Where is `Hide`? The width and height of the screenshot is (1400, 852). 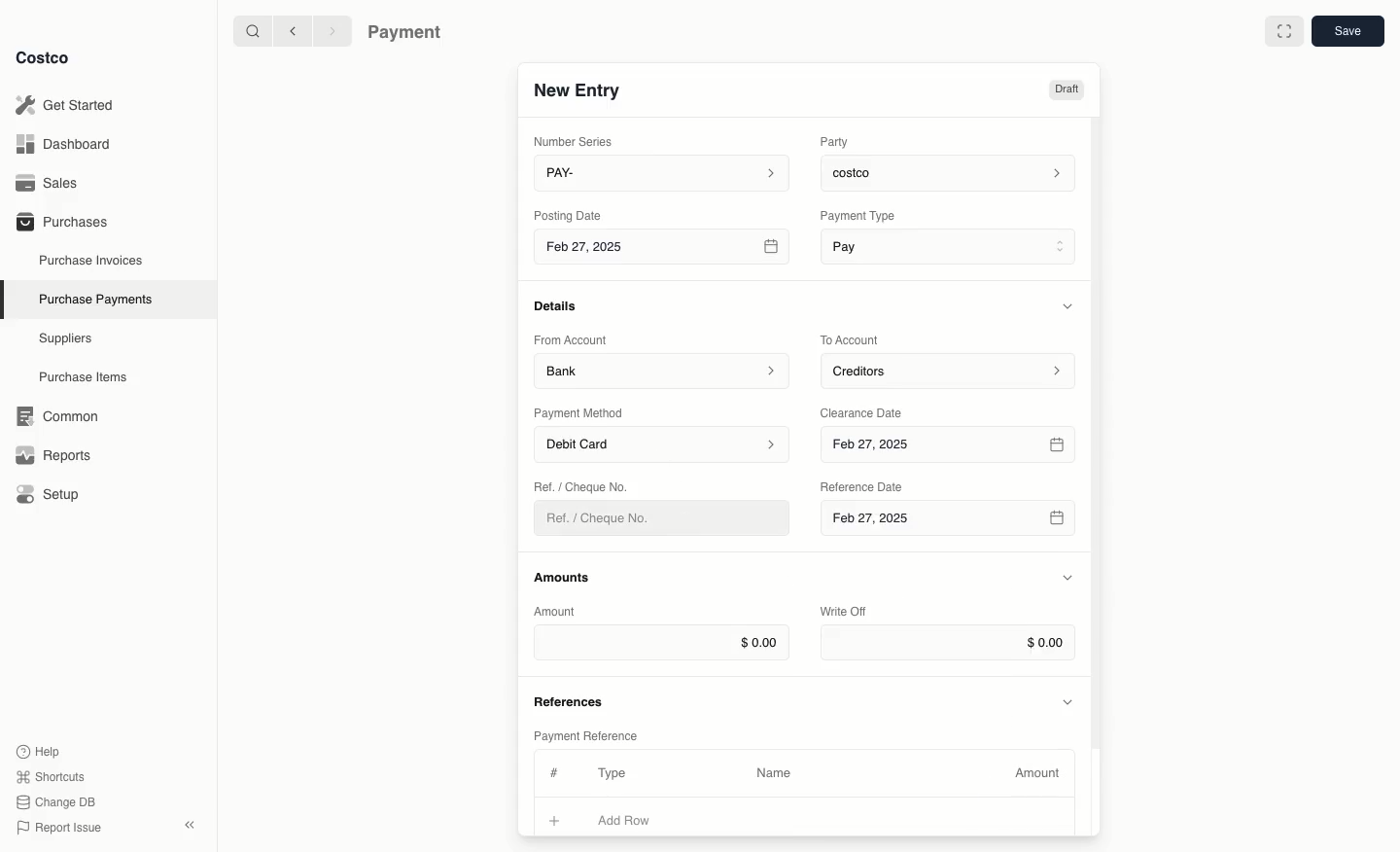
Hide is located at coordinates (1070, 305).